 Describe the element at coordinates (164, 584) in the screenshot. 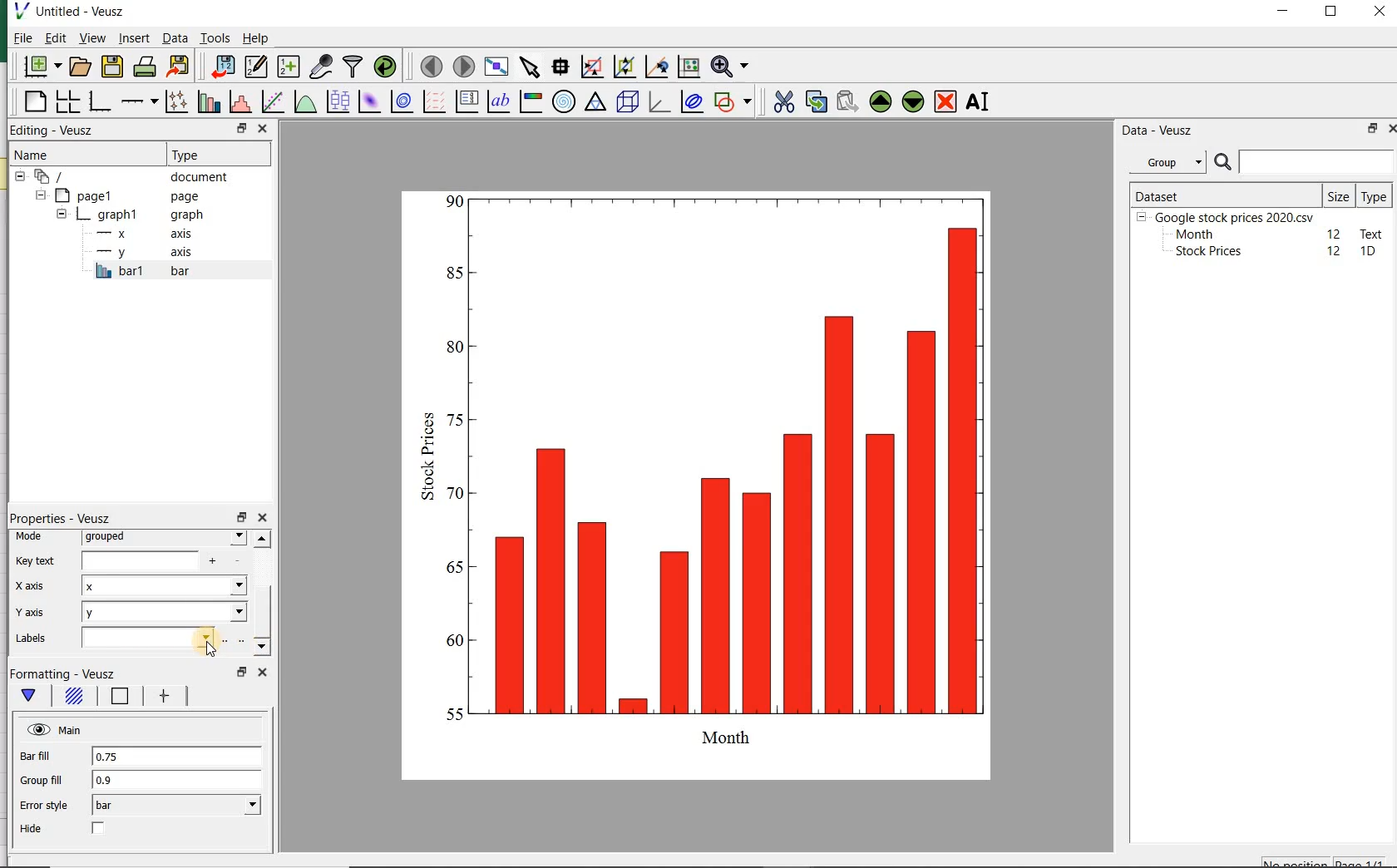

I see `x` at that location.